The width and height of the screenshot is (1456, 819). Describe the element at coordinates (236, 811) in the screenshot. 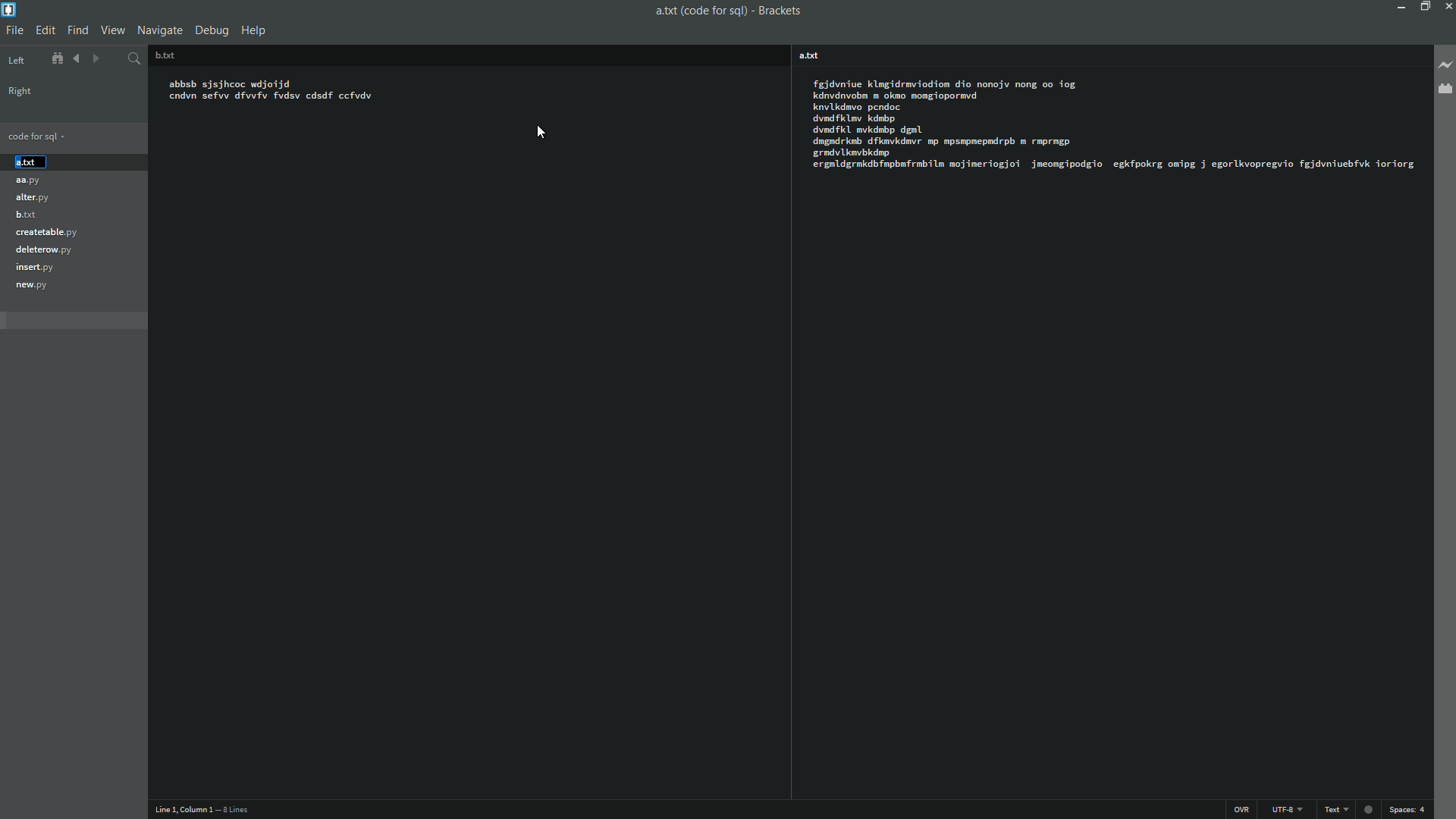

I see `Number of lines` at that location.